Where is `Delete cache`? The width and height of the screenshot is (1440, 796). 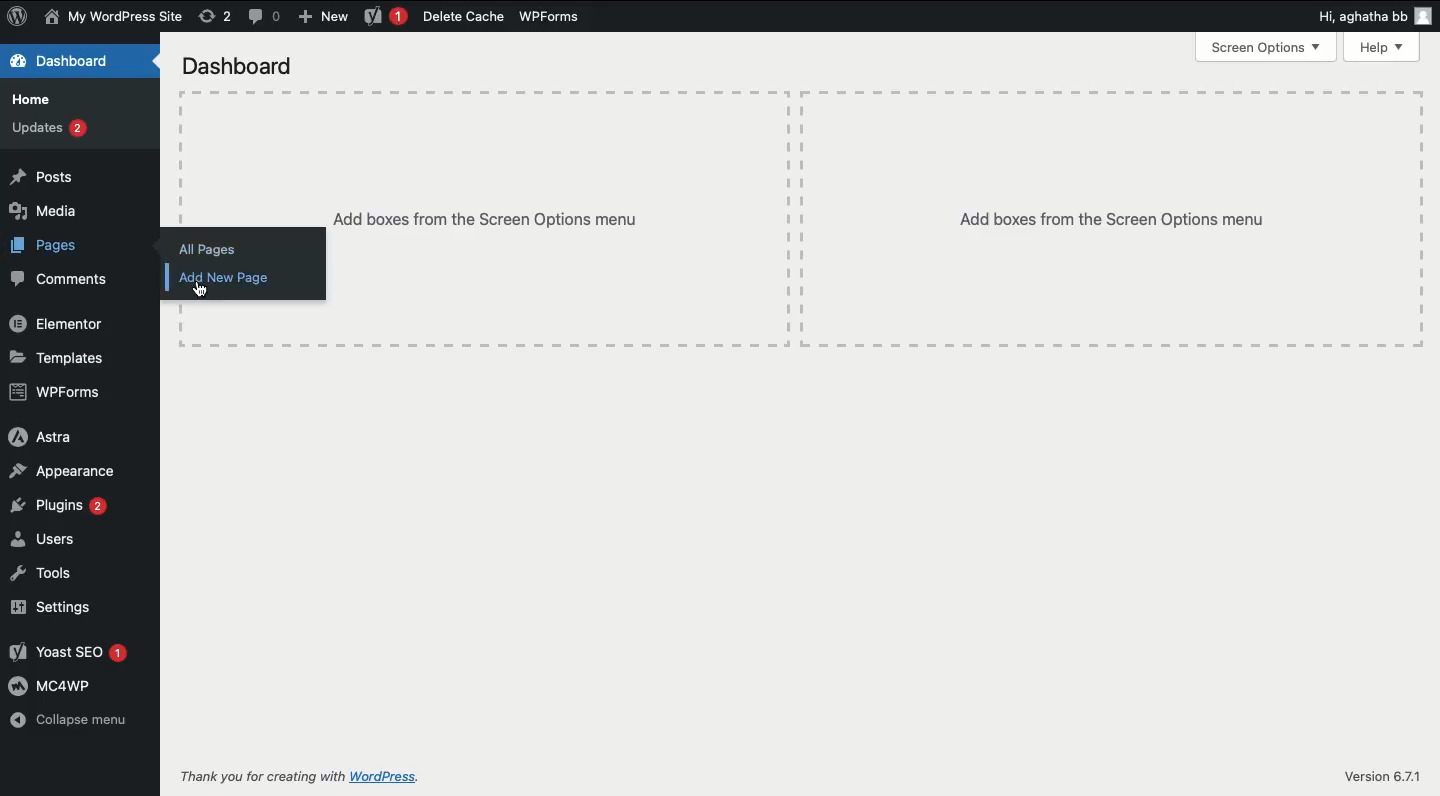
Delete cache is located at coordinates (462, 16).